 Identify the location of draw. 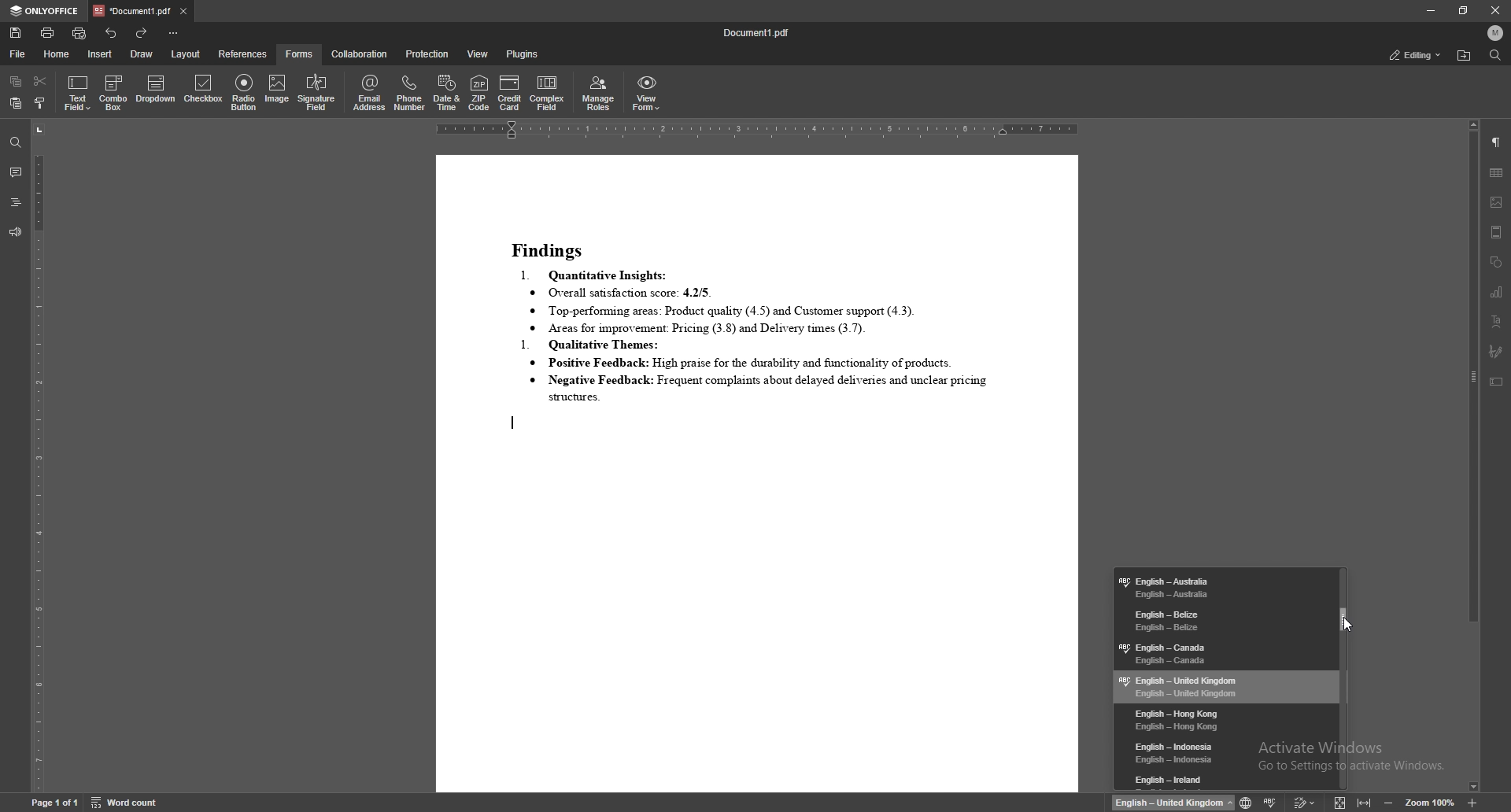
(141, 54).